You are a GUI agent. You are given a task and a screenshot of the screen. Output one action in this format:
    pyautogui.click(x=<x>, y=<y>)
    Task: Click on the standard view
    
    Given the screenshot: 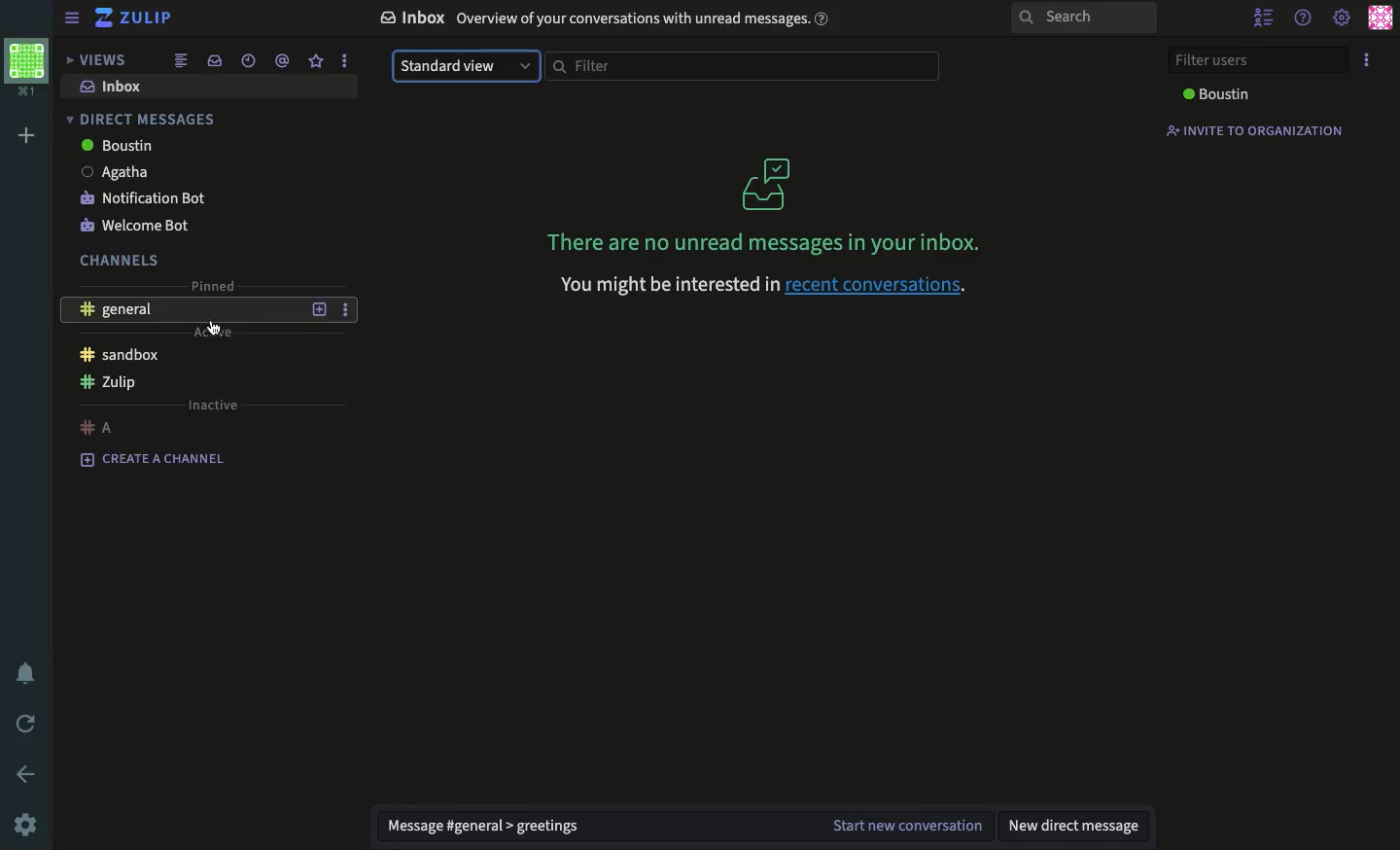 What is the action you would take?
    pyautogui.click(x=467, y=66)
    